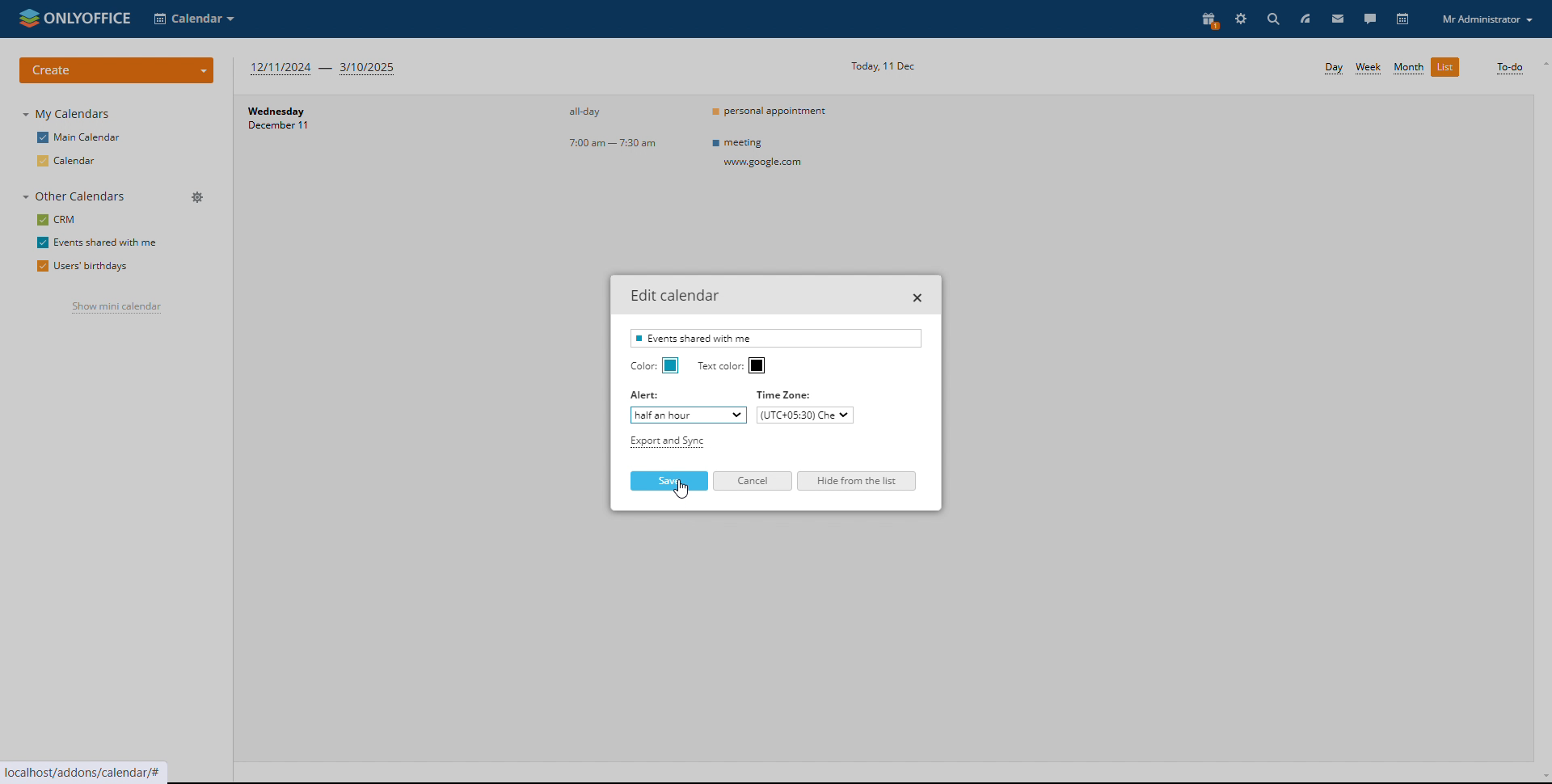 The width and height of the screenshot is (1552, 784). I want to click on feed, so click(1304, 19).